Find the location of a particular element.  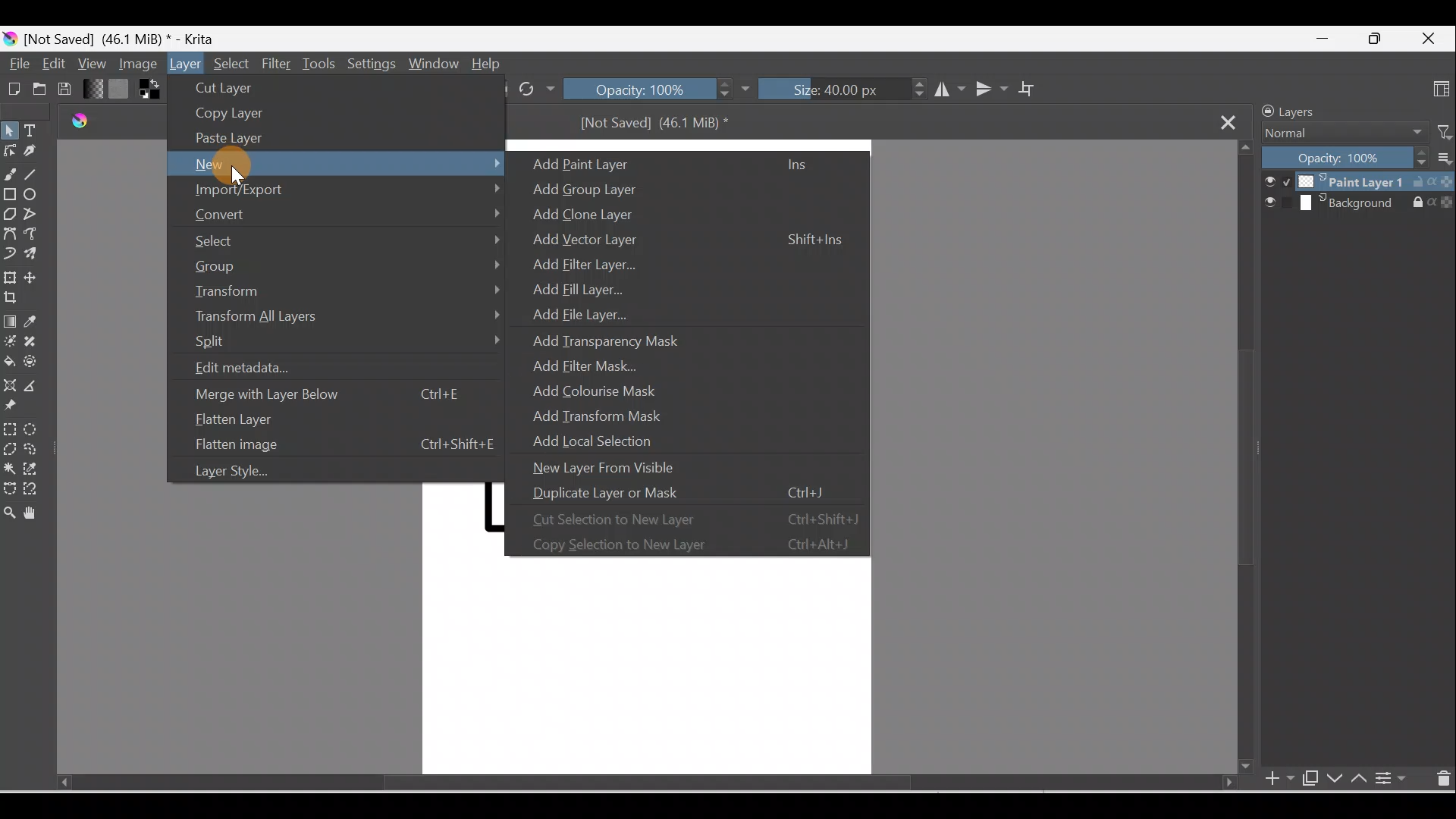

Draw a gradient is located at coordinates (11, 322).